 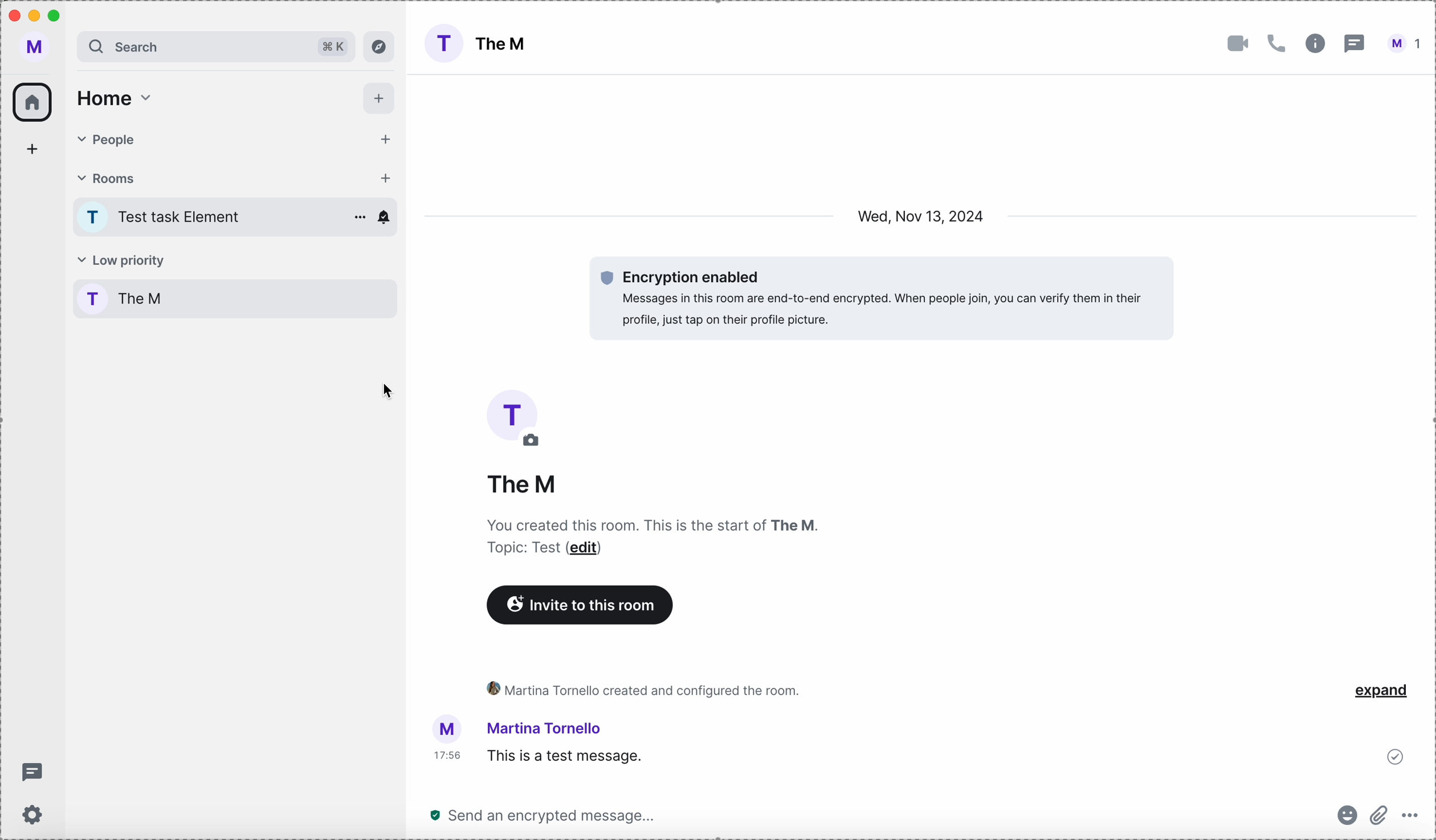 I want to click on user, so click(x=1402, y=44).